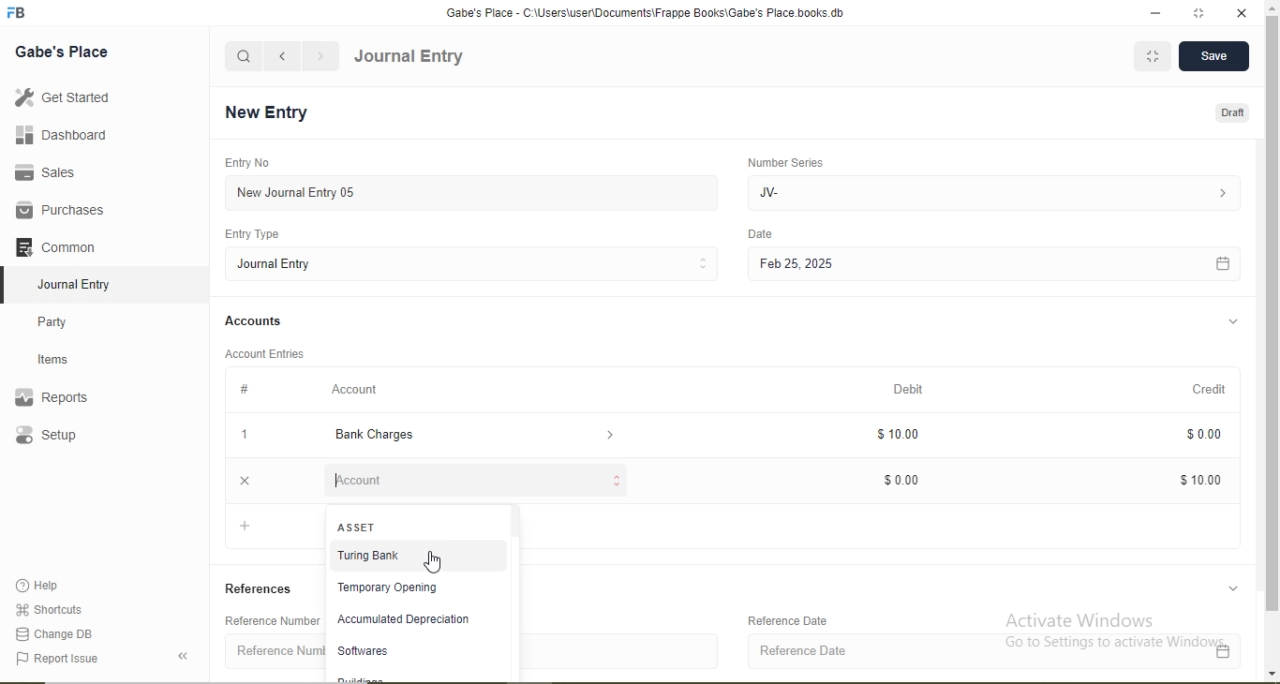 This screenshot has height=684, width=1280. Describe the element at coordinates (60, 210) in the screenshot. I see `Purchases` at that location.